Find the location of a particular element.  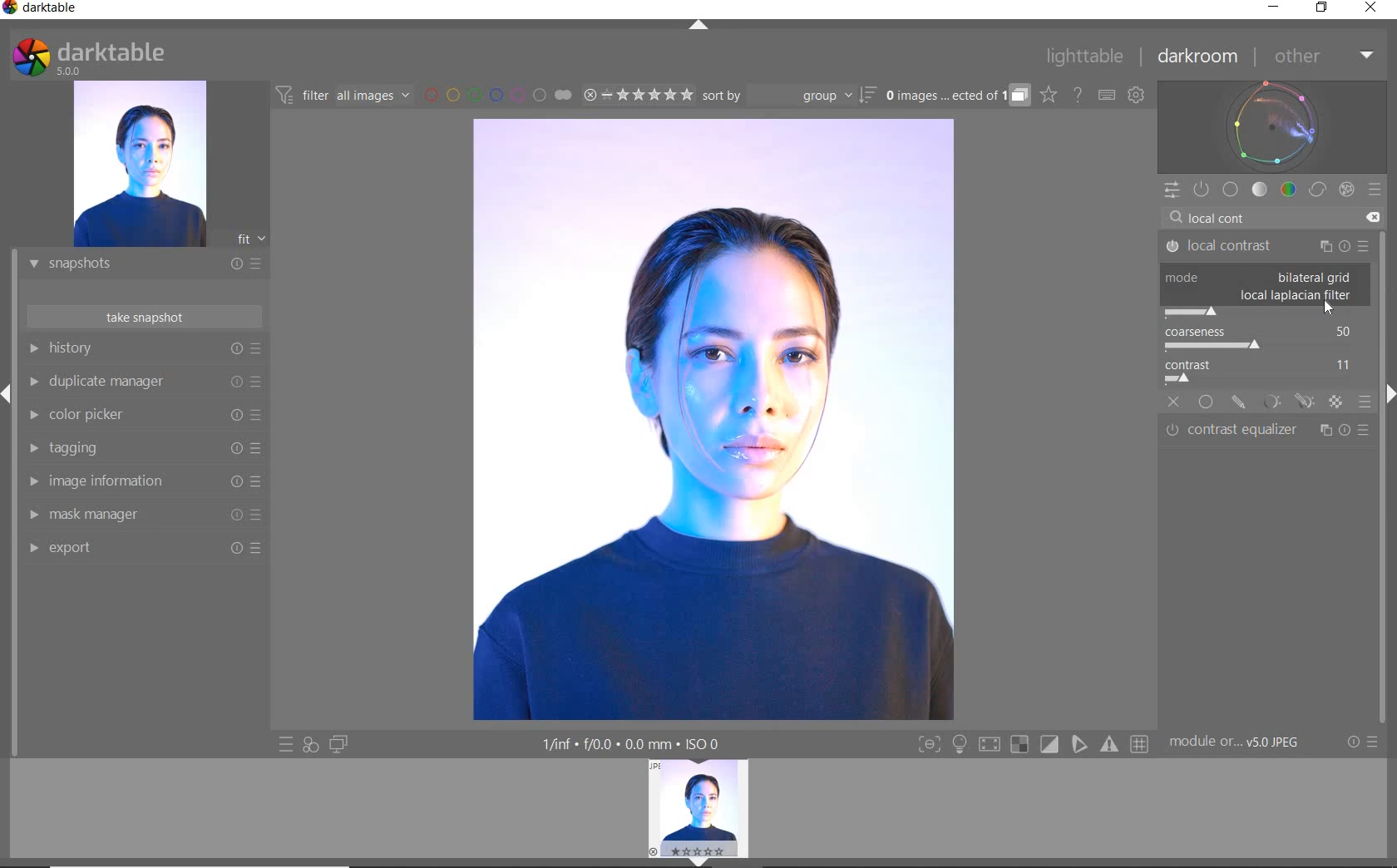

Cursor is located at coordinates (1329, 309).